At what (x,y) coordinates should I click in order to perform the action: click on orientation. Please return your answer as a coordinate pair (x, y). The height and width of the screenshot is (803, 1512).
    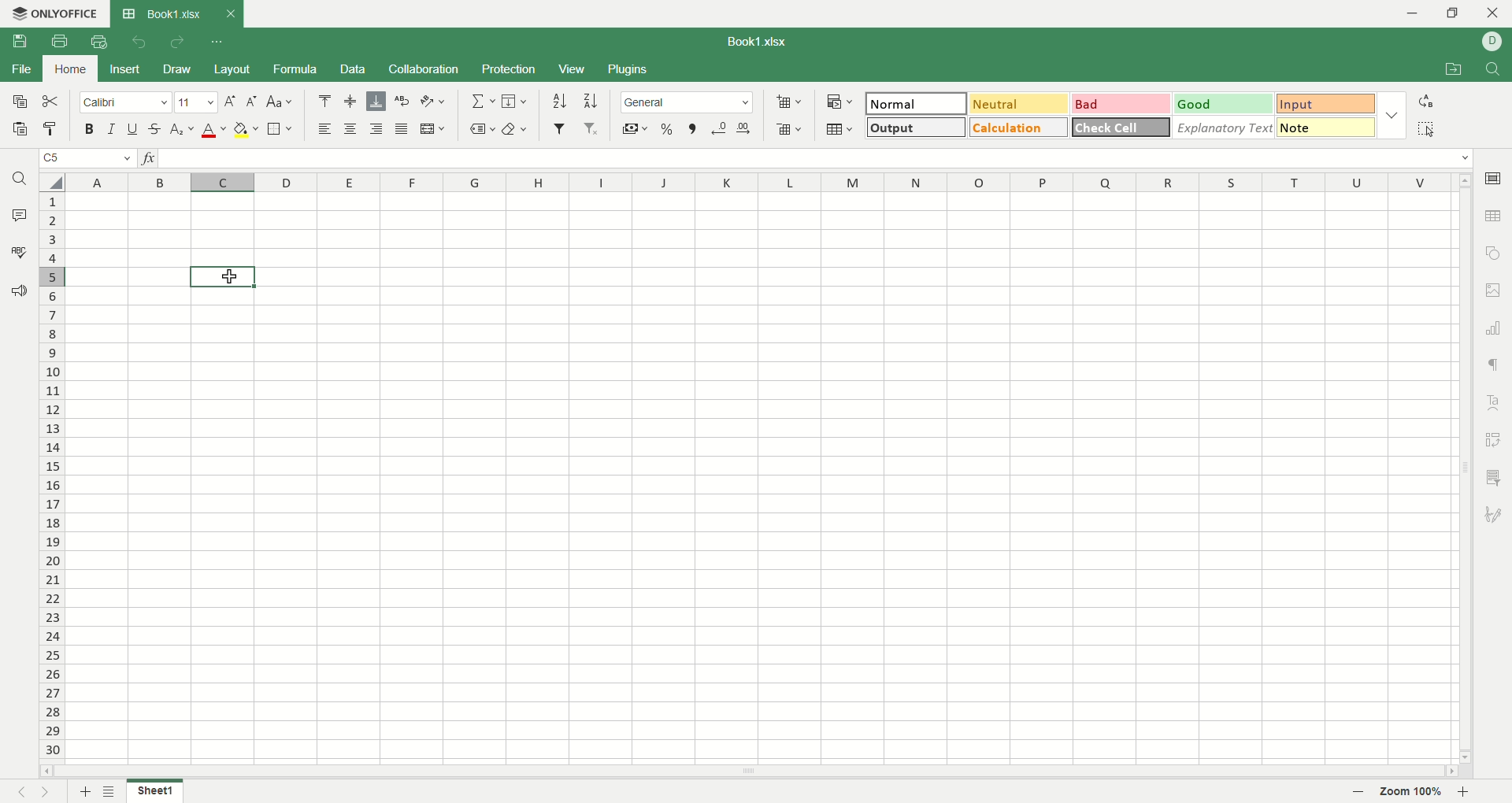
    Looking at the image, I should click on (433, 102).